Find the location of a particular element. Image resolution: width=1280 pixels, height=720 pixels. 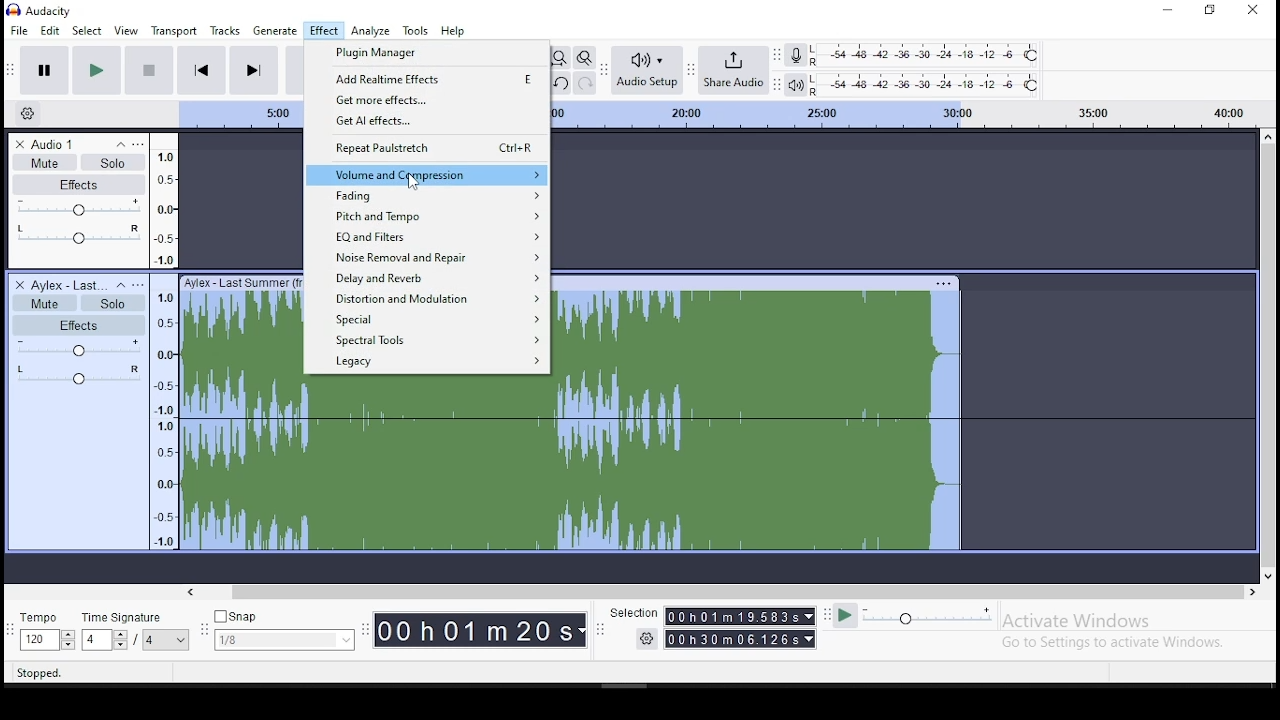

audio track is located at coordinates (765, 324).